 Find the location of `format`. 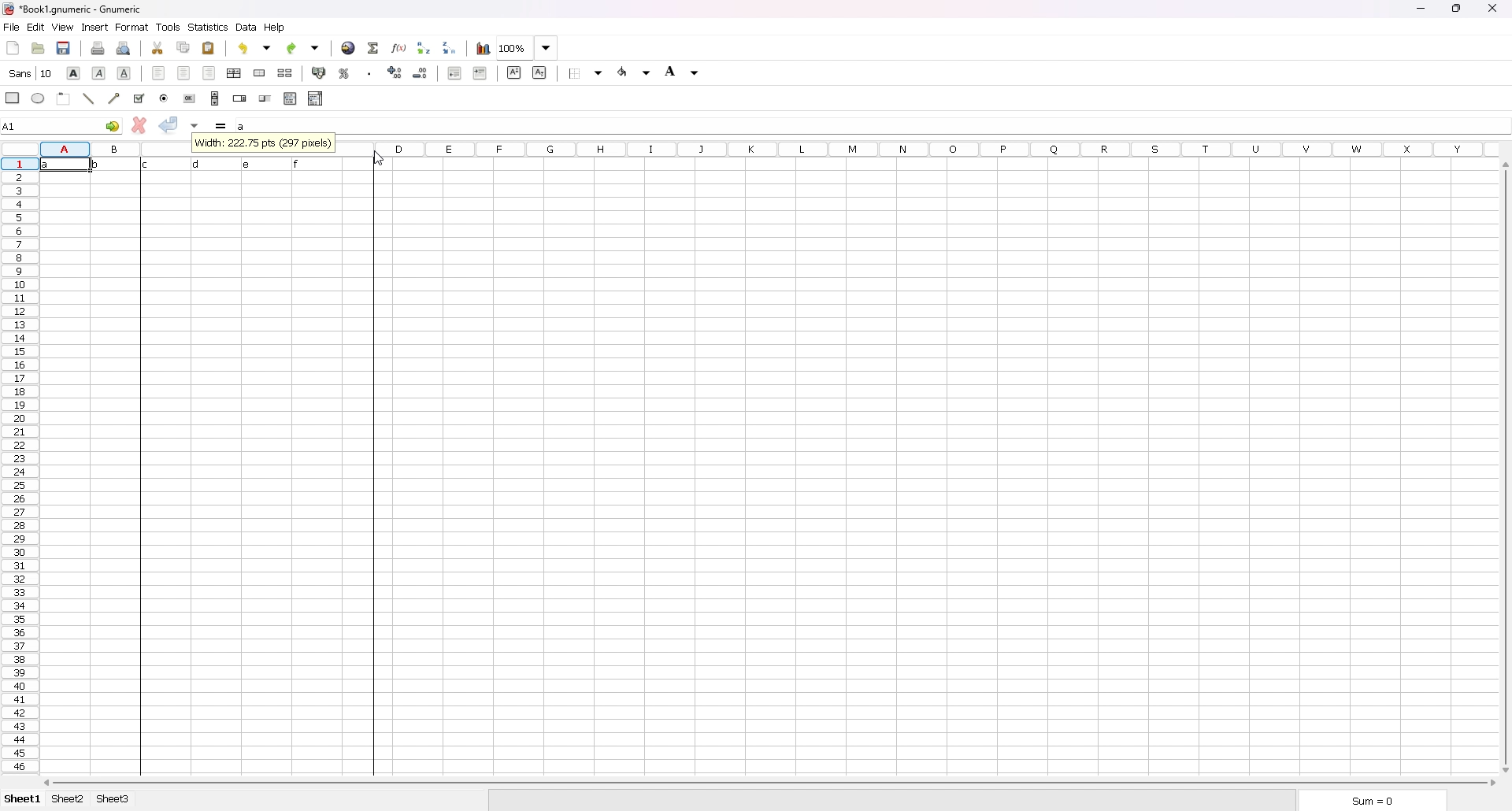

format is located at coordinates (132, 27).